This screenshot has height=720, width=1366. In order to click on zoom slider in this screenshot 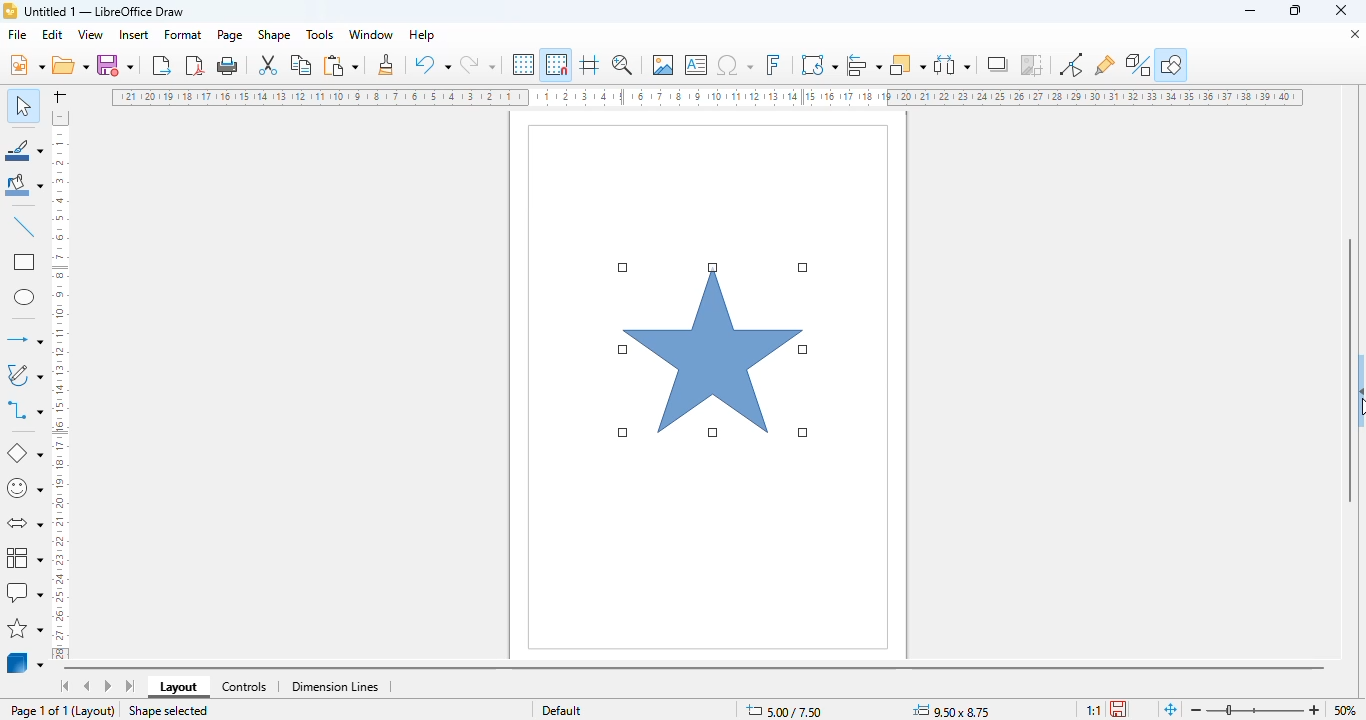, I will do `click(1254, 709)`.